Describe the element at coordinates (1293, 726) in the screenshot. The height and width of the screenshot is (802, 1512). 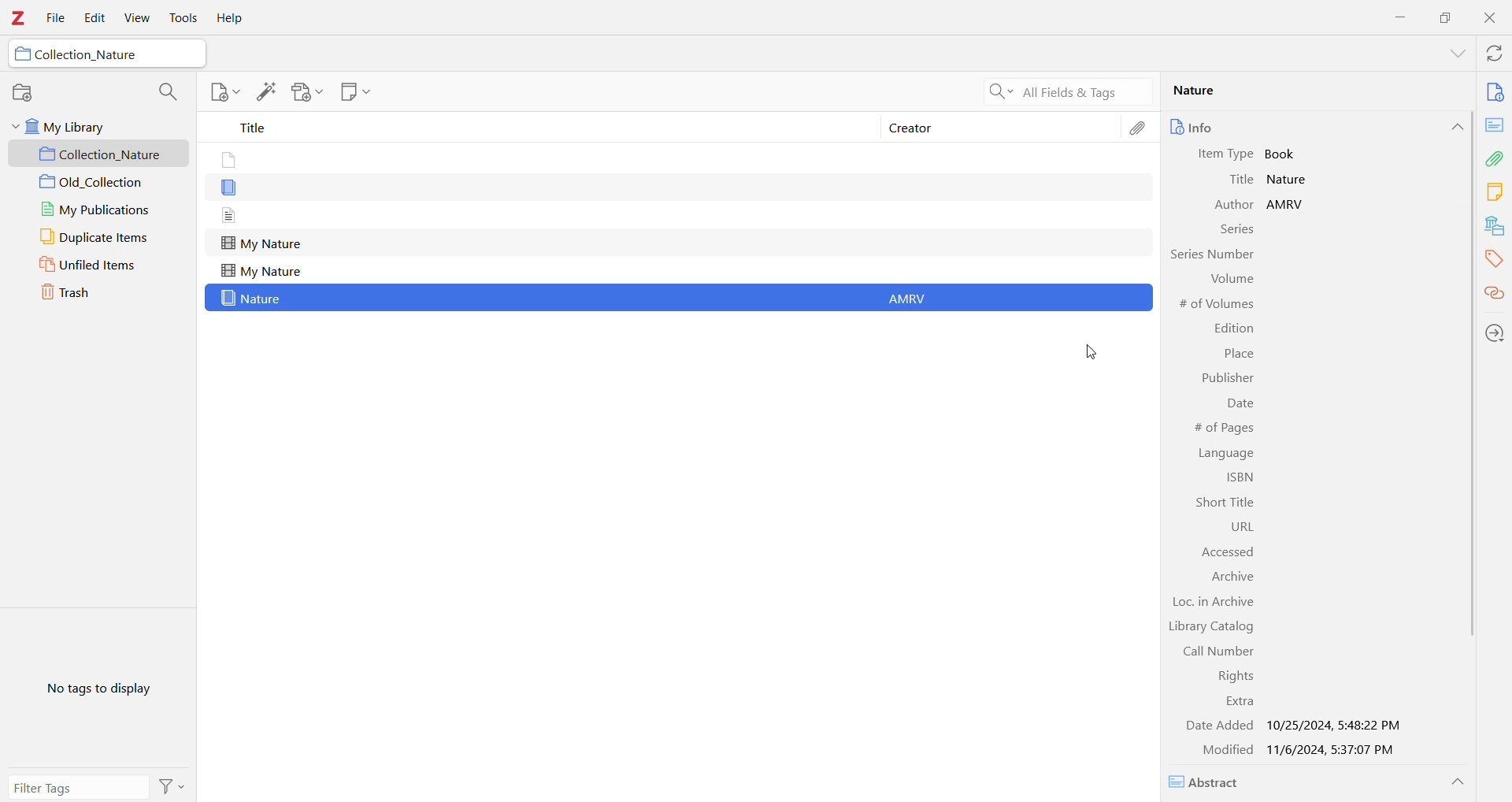
I see `Date Added 10/25/2024, 5:48:22 PM` at that location.